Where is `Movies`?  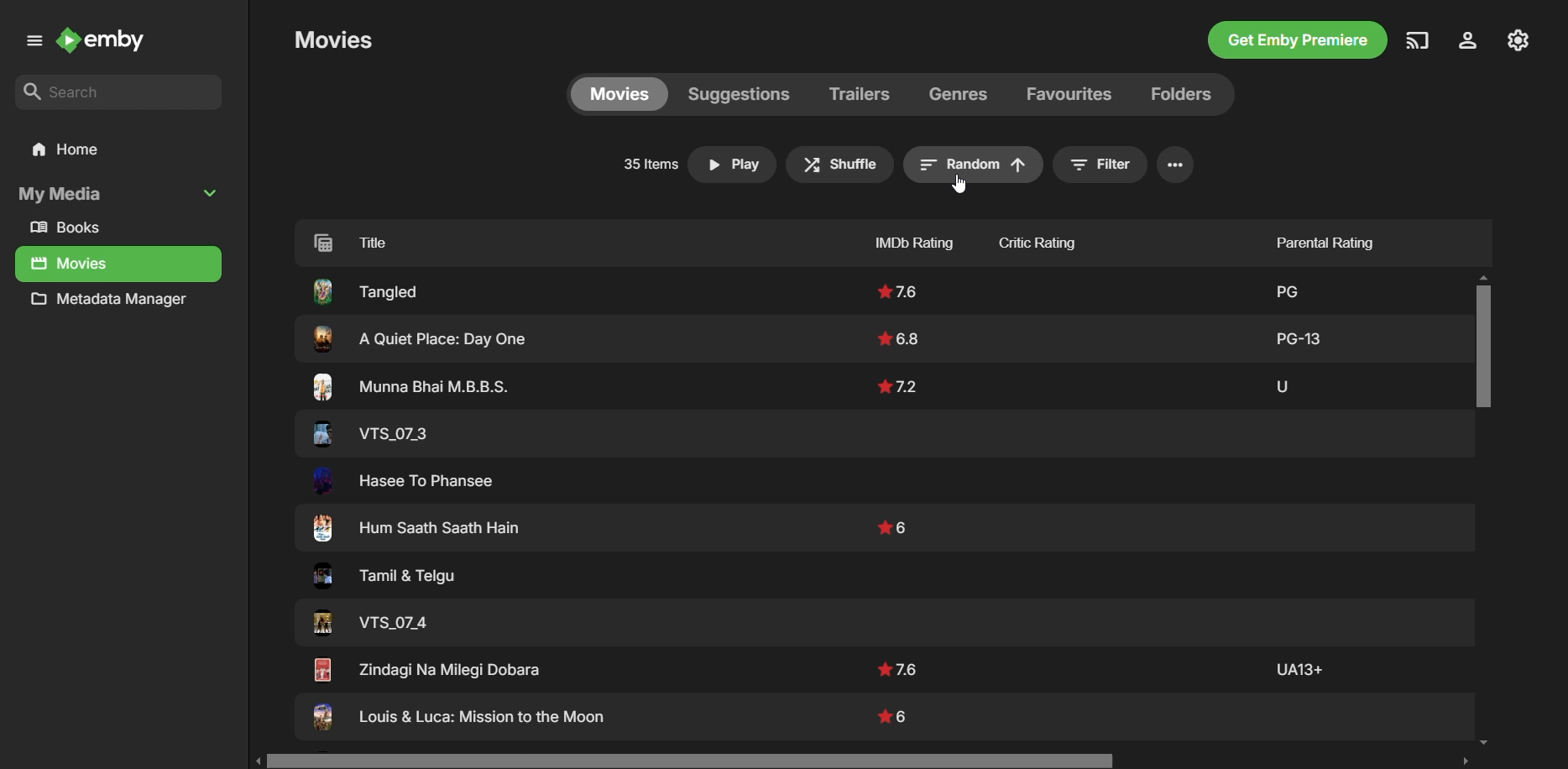 Movies is located at coordinates (618, 93).